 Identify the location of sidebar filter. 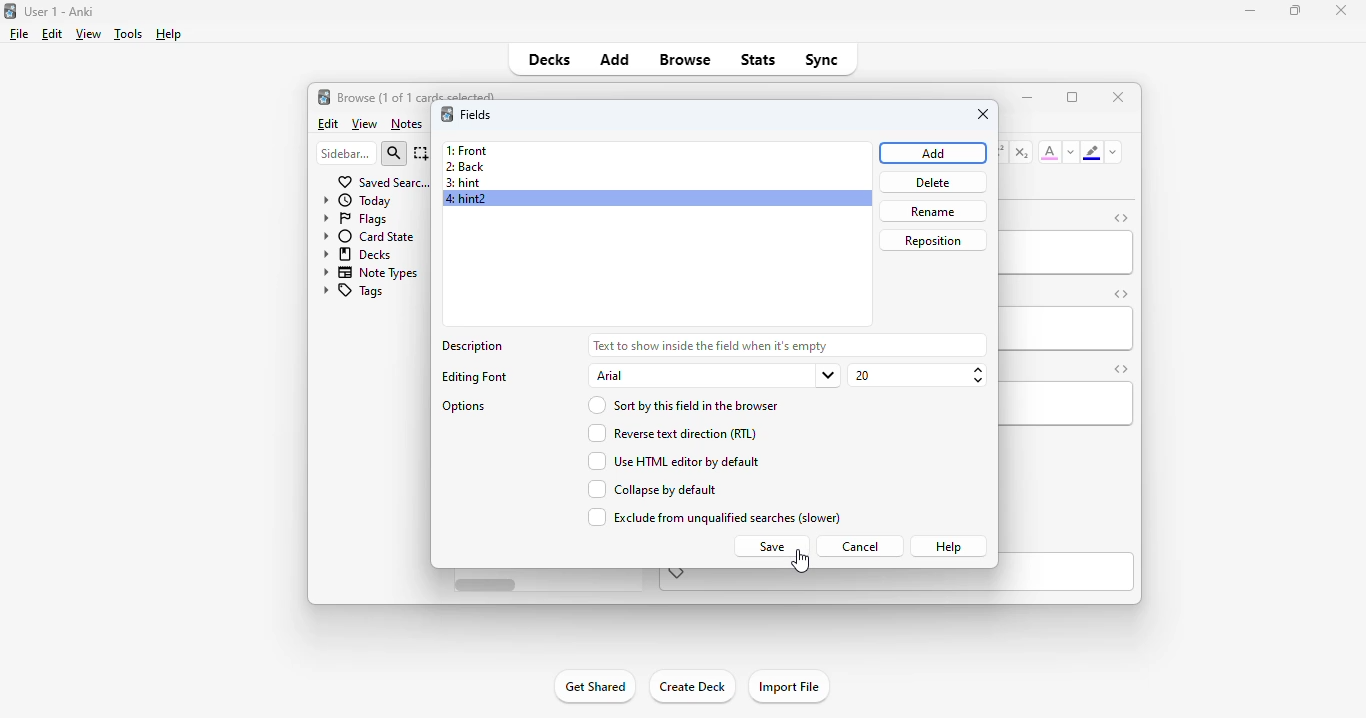
(346, 153).